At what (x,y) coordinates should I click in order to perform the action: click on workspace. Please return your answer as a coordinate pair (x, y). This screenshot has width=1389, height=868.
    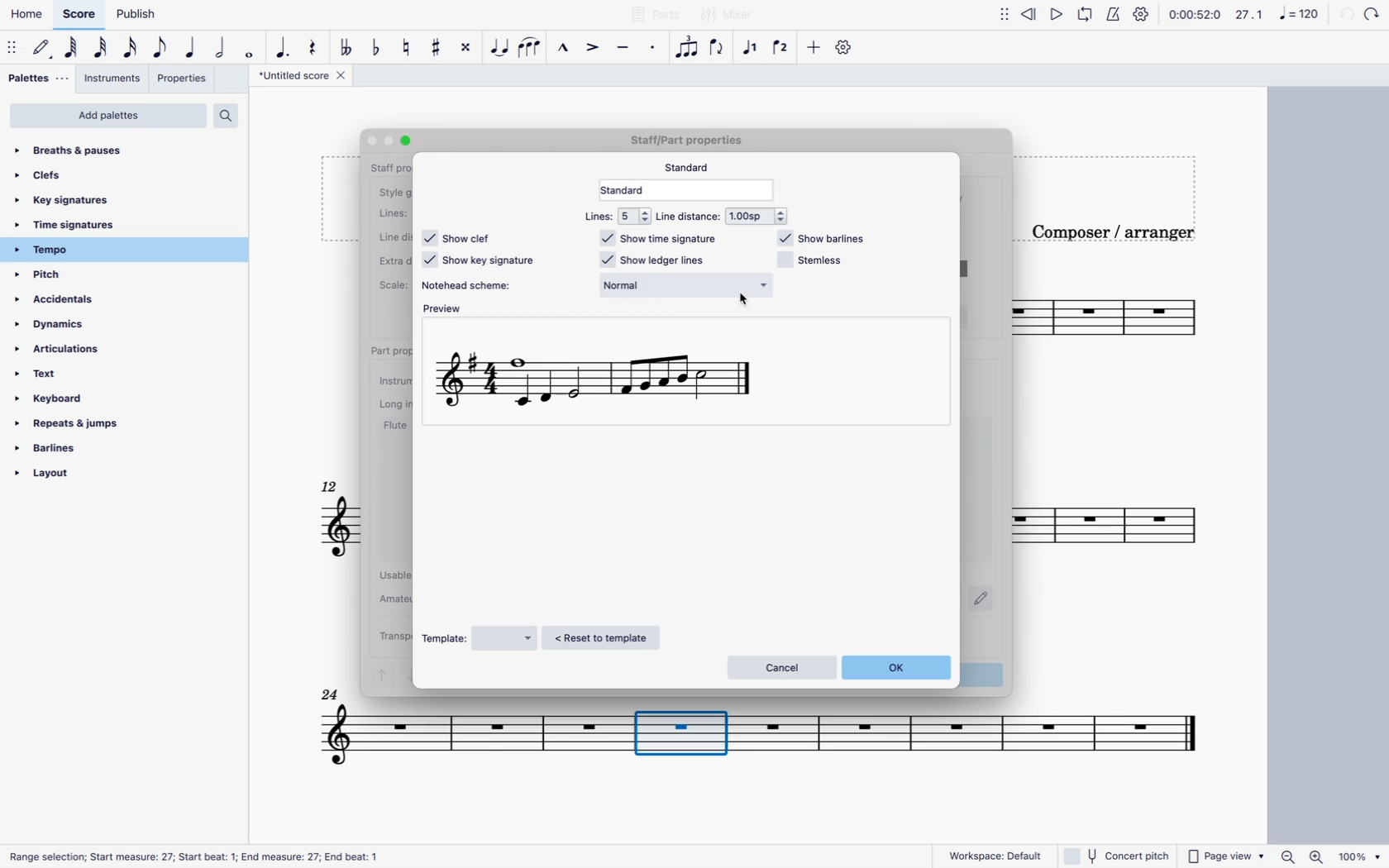
    Looking at the image, I should click on (996, 855).